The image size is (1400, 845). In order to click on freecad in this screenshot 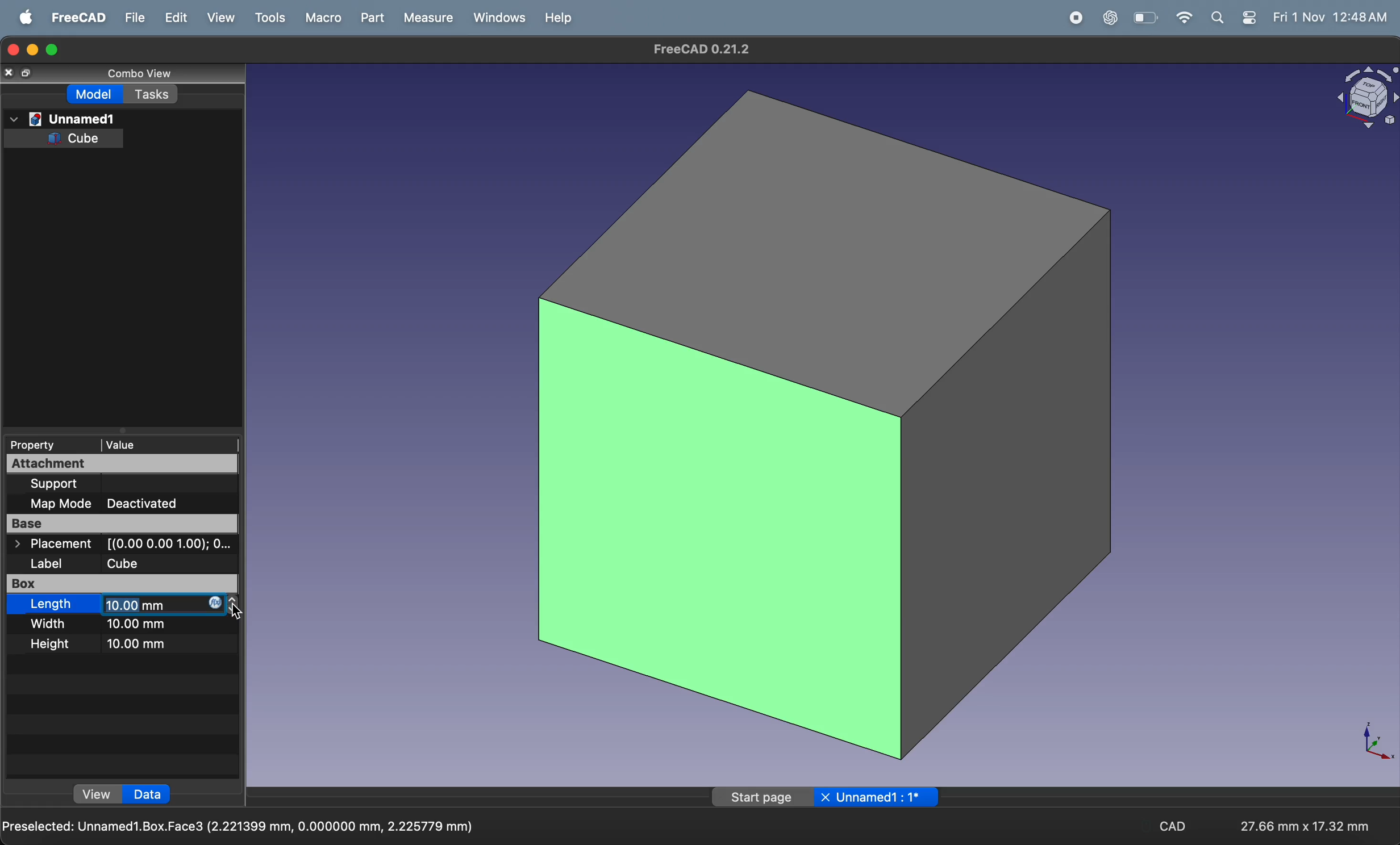, I will do `click(74, 17)`.